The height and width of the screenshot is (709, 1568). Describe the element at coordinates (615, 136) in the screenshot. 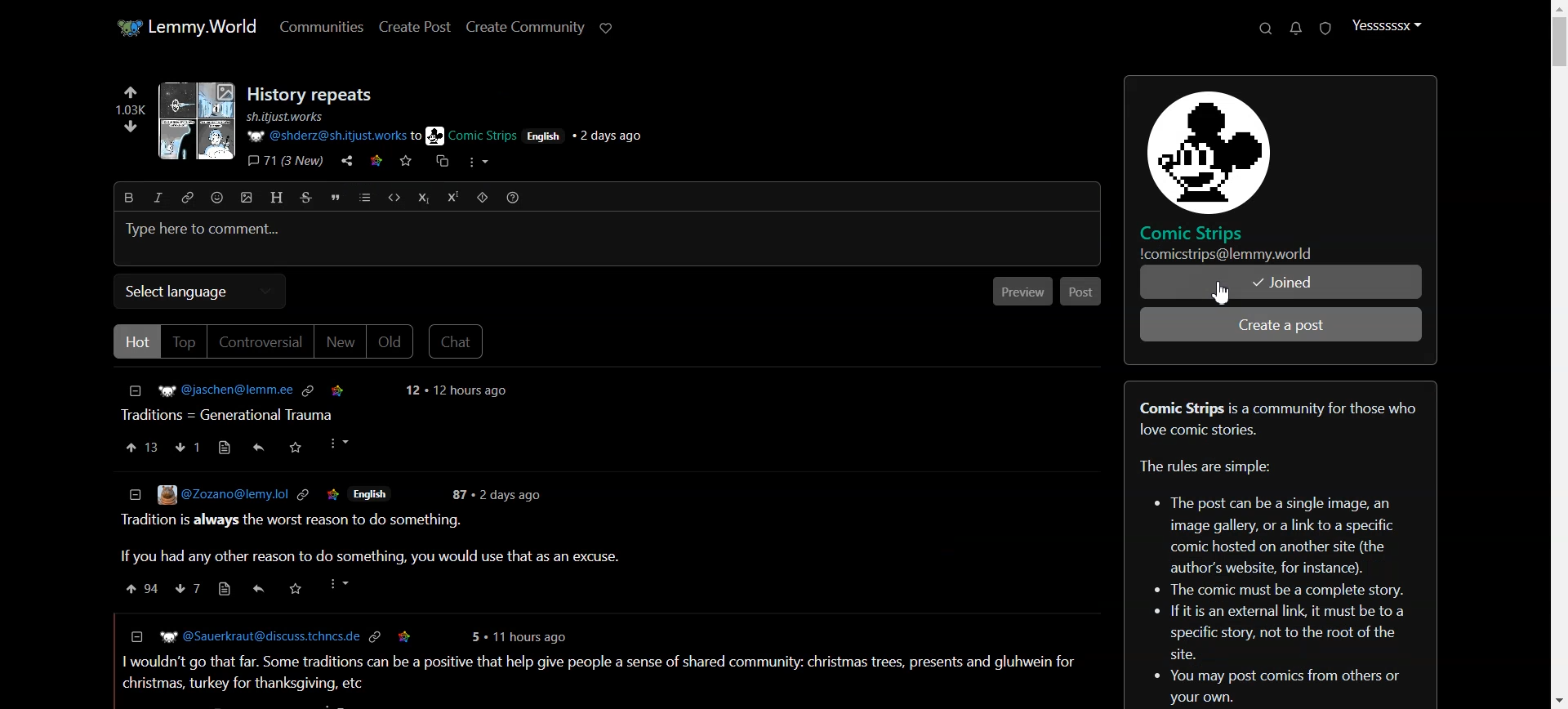

I see `2 days ago` at that location.